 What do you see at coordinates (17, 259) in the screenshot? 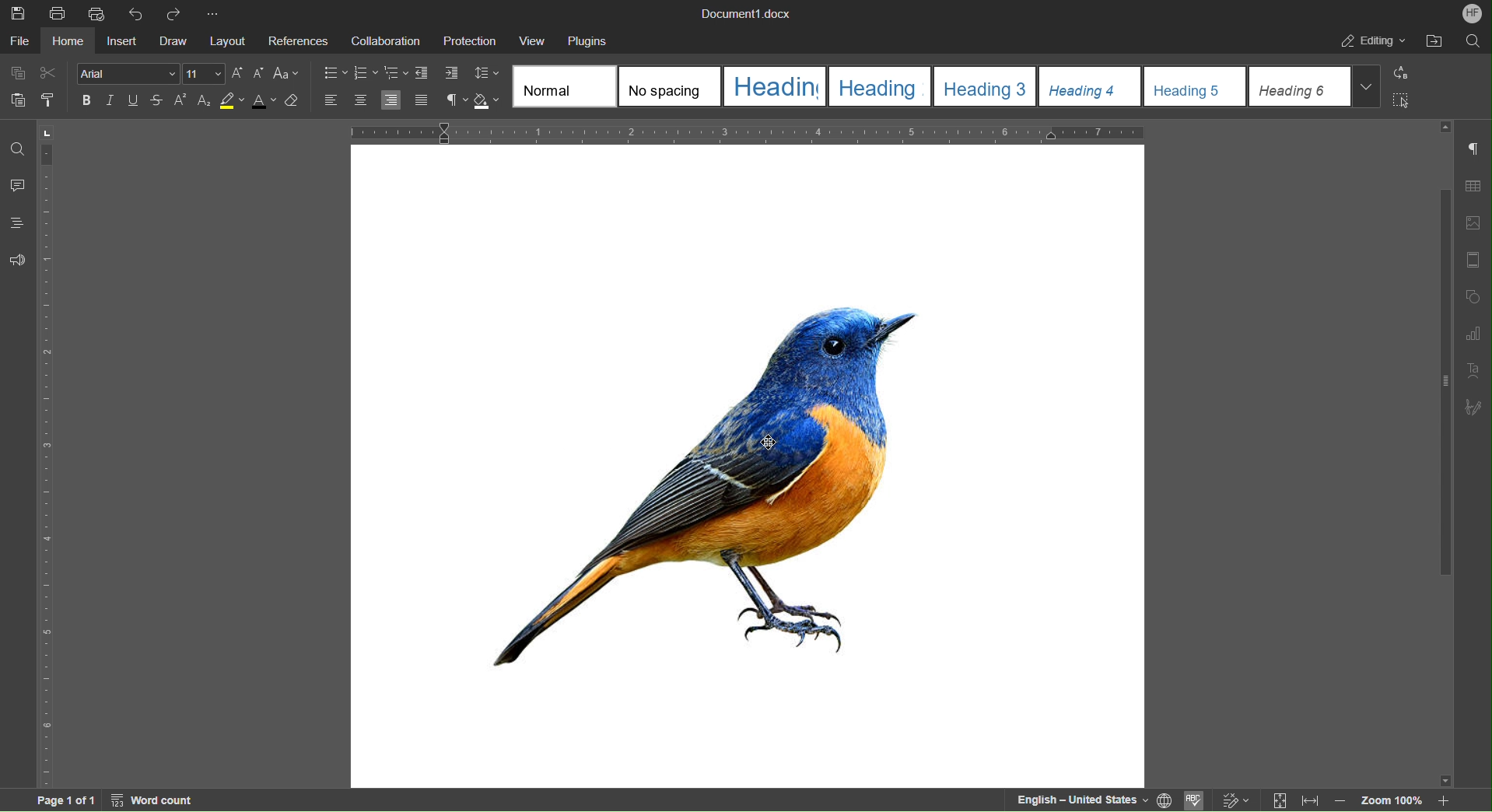
I see `Feedback and Support` at bounding box center [17, 259].